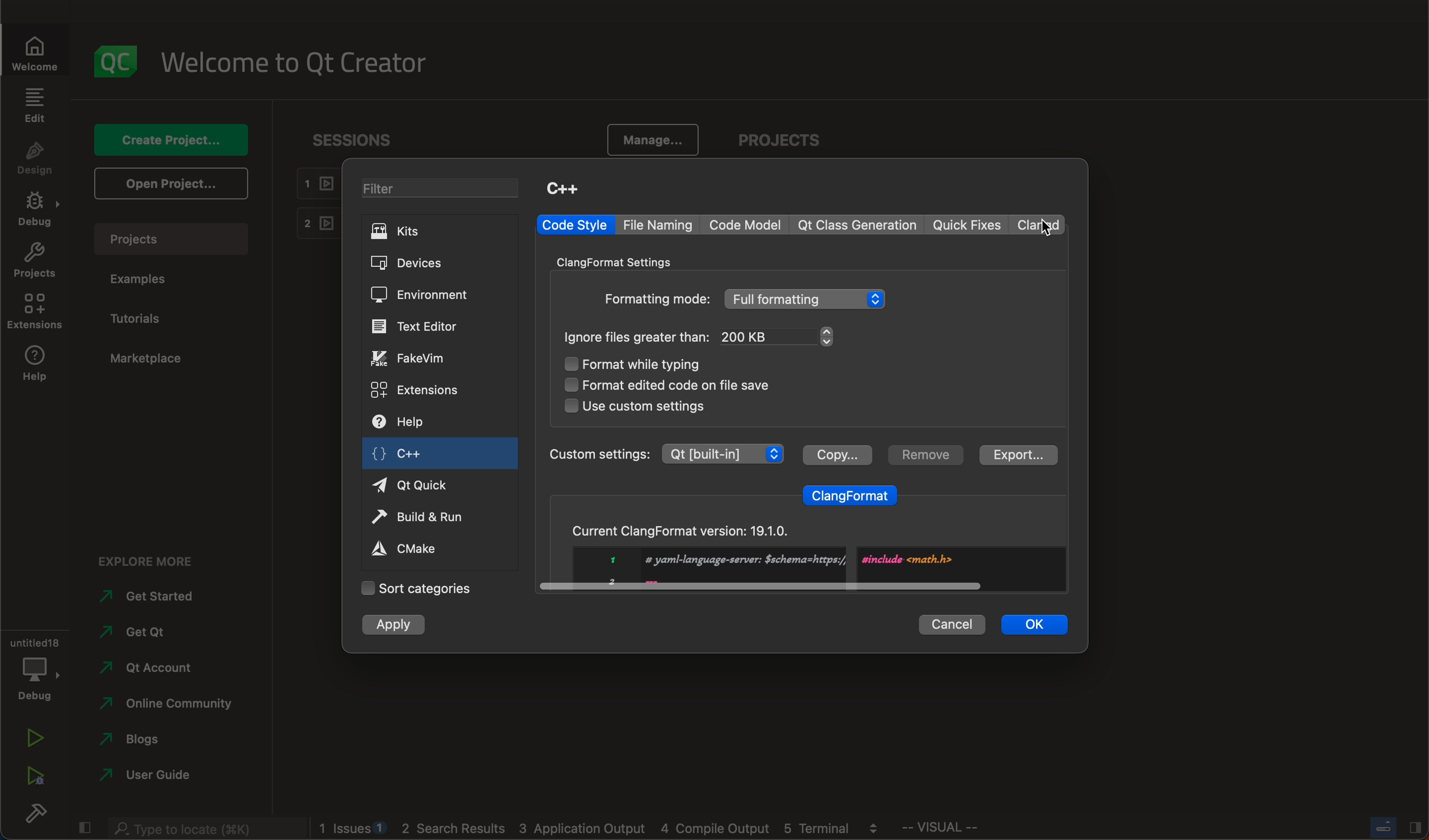 This screenshot has height=840, width=1429. Describe the element at coordinates (852, 493) in the screenshot. I see `clang format` at that location.